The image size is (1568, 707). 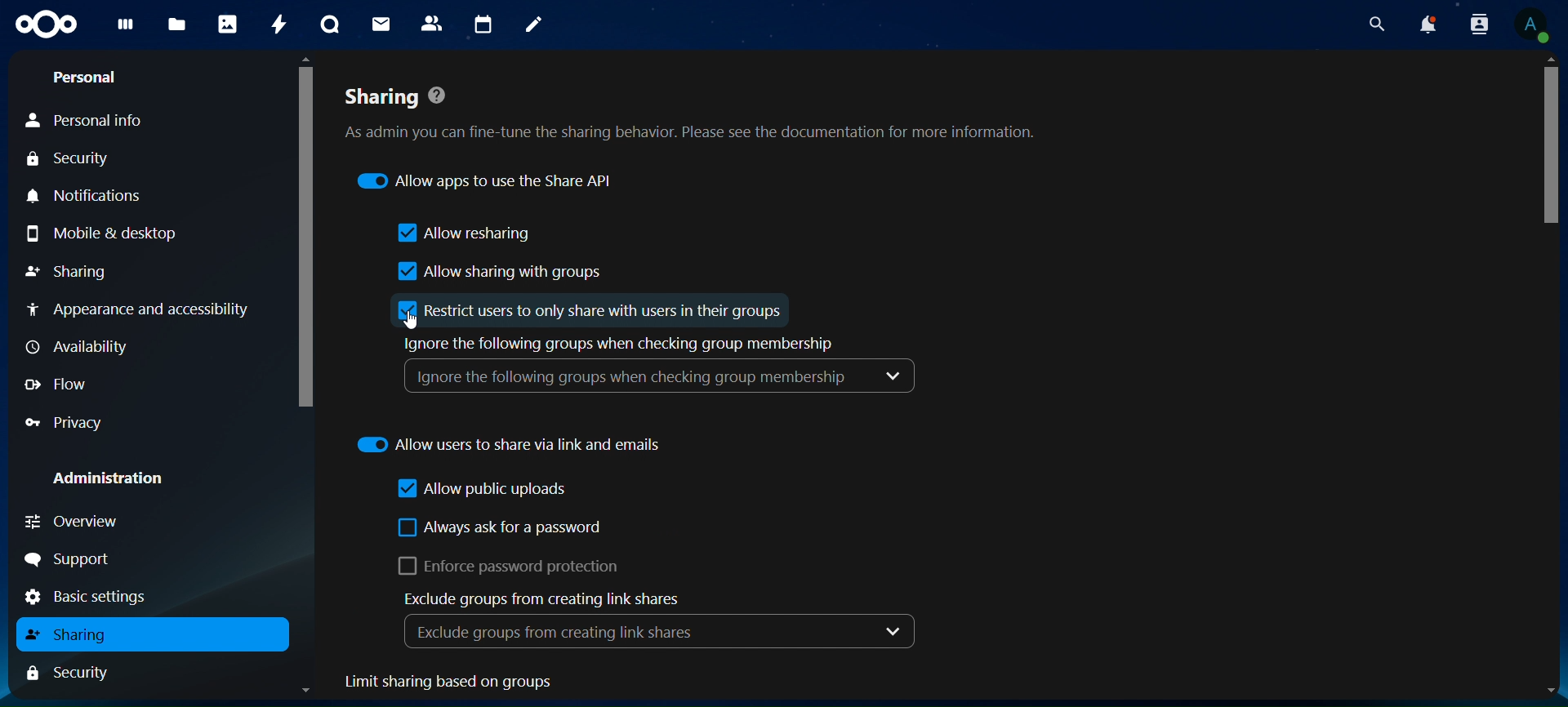 I want to click on scrollbar, so click(x=1552, y=155).